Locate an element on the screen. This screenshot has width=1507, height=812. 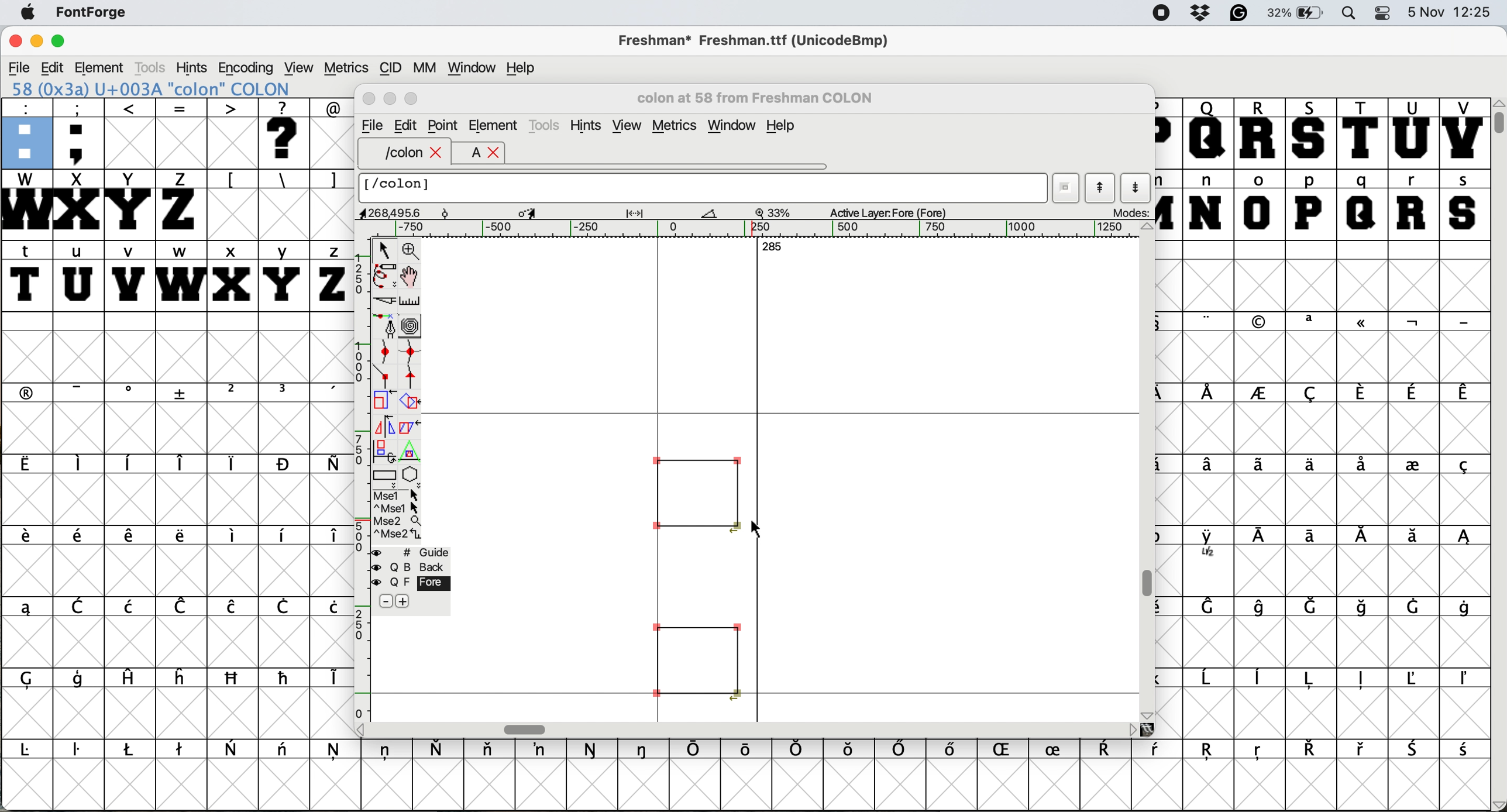
help is located at coordinates (527, 68).